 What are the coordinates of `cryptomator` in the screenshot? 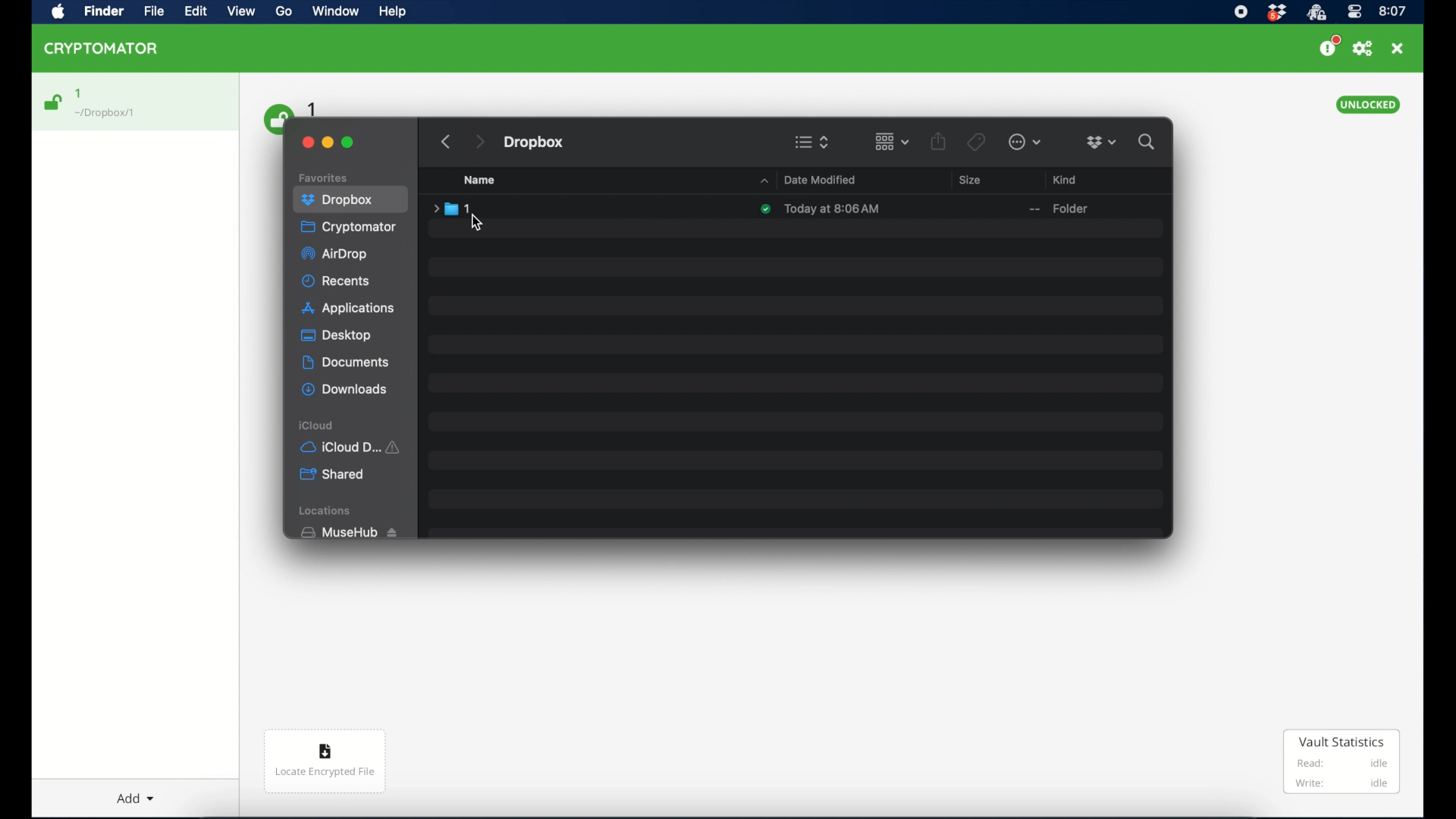 It's located at (350, 227).